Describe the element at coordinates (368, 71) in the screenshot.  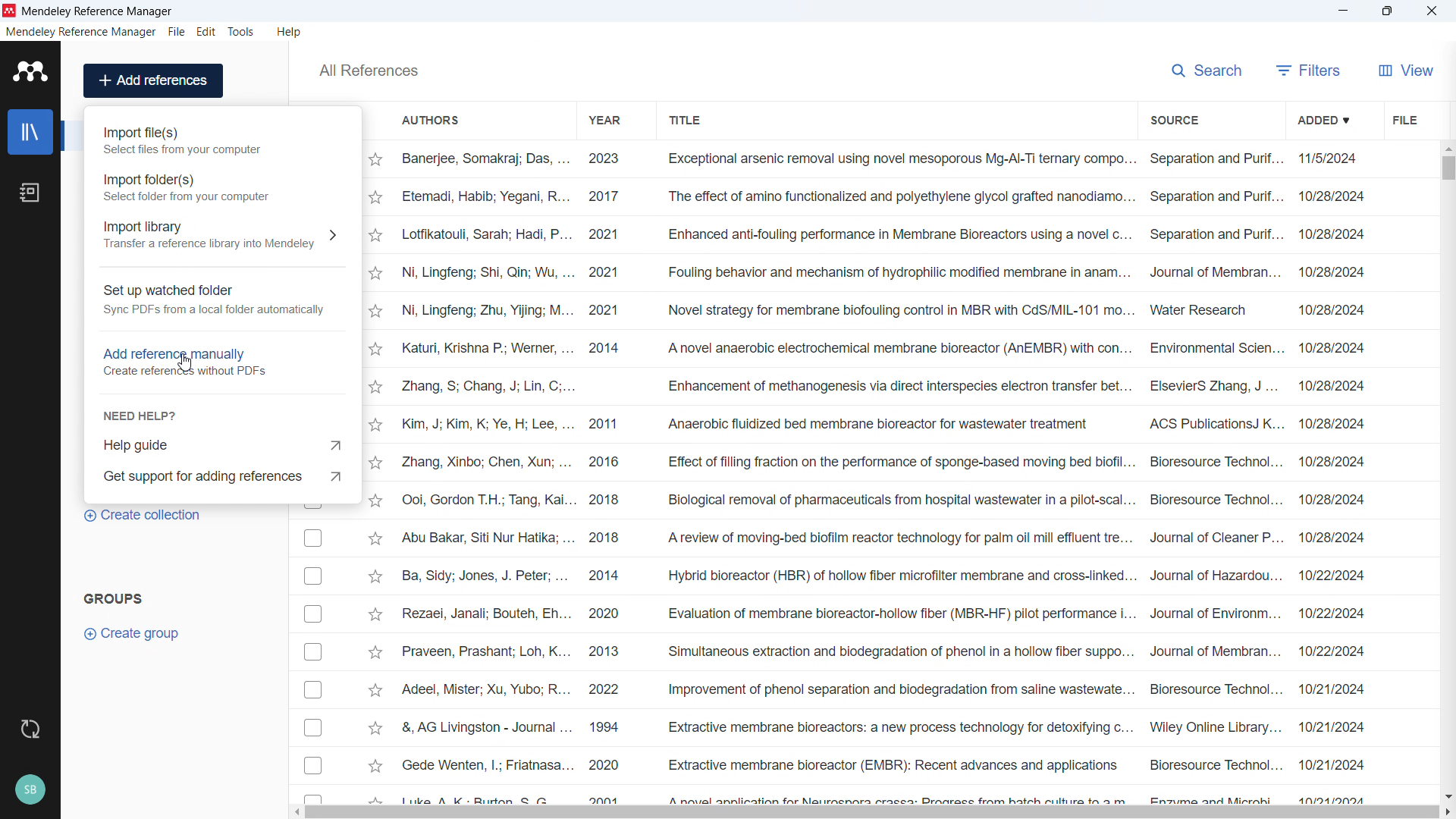
I see ` All references ` at that location.